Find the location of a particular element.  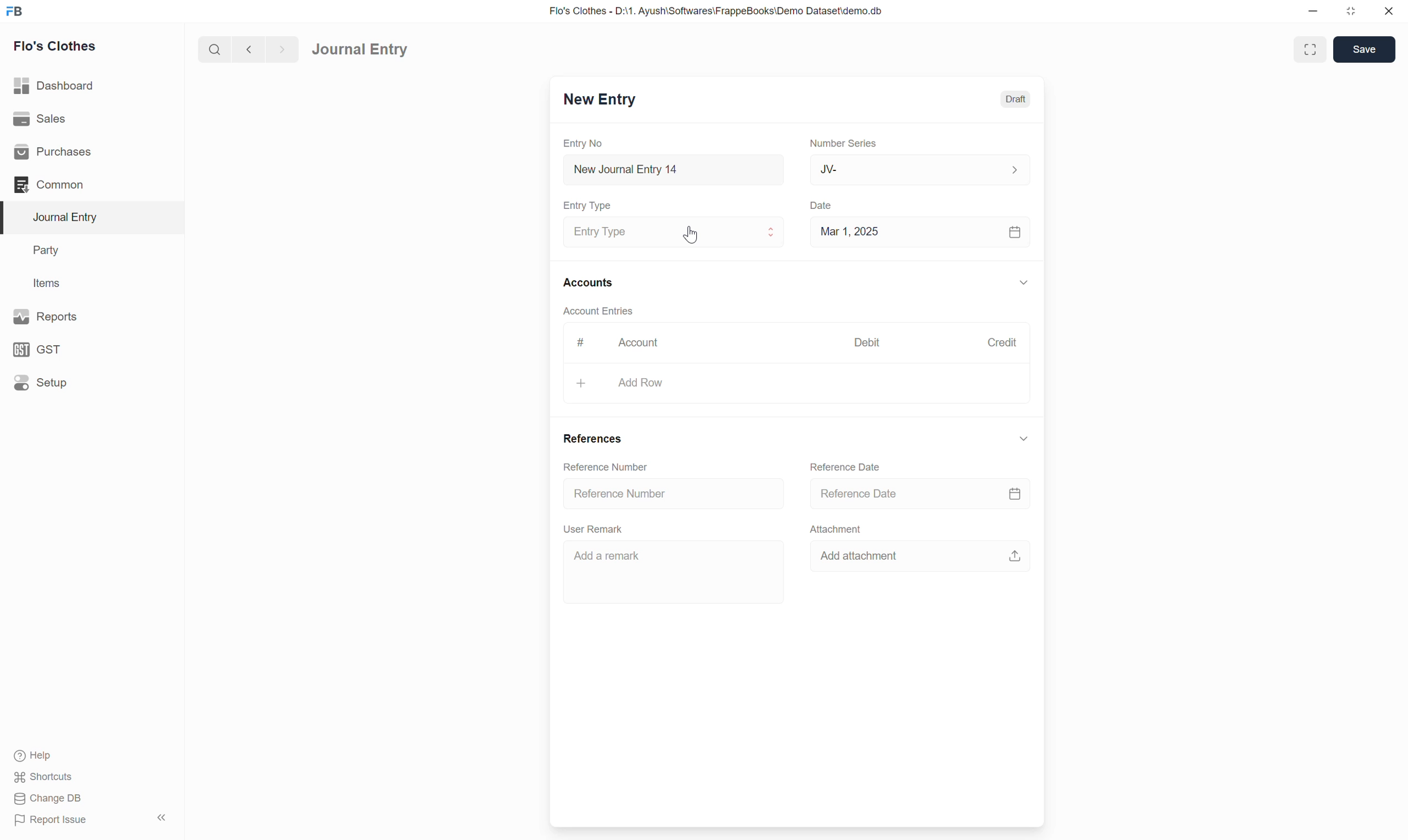

GST is located at coordinates (39, 350).